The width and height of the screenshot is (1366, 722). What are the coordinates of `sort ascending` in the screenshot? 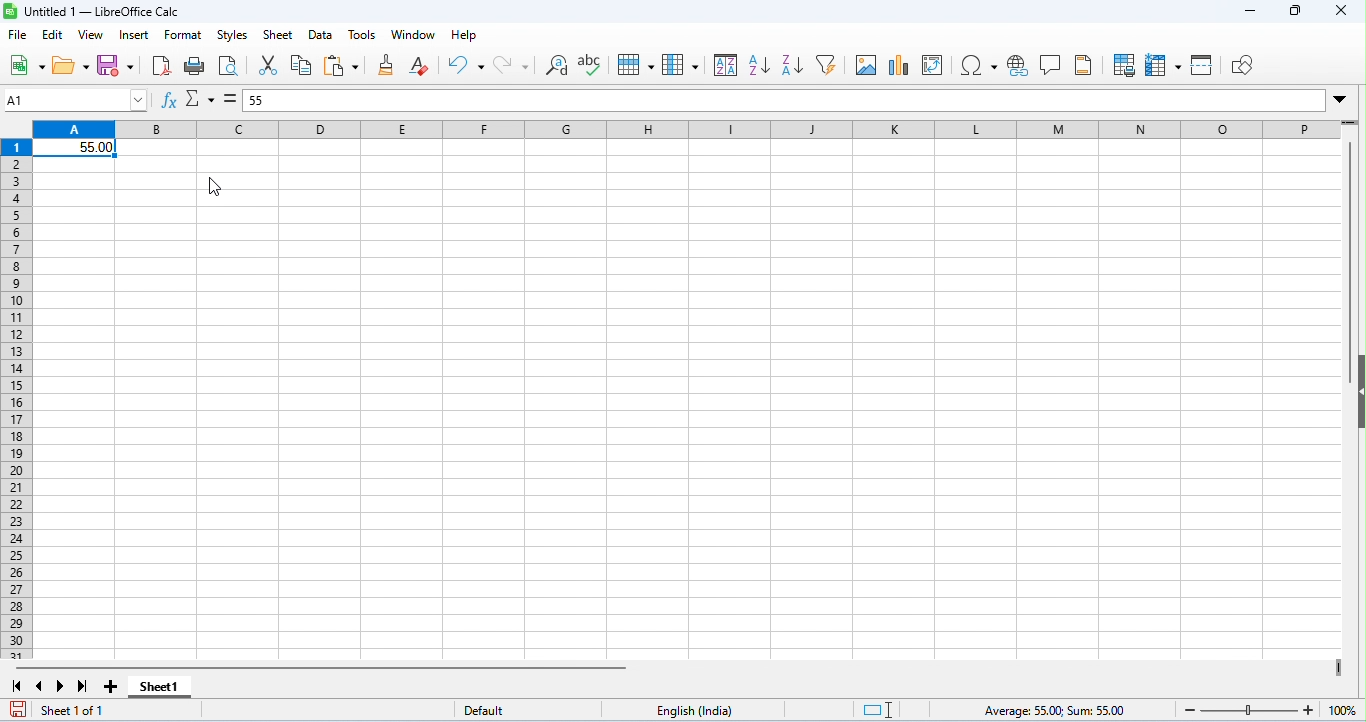 It's located at (759, 65).